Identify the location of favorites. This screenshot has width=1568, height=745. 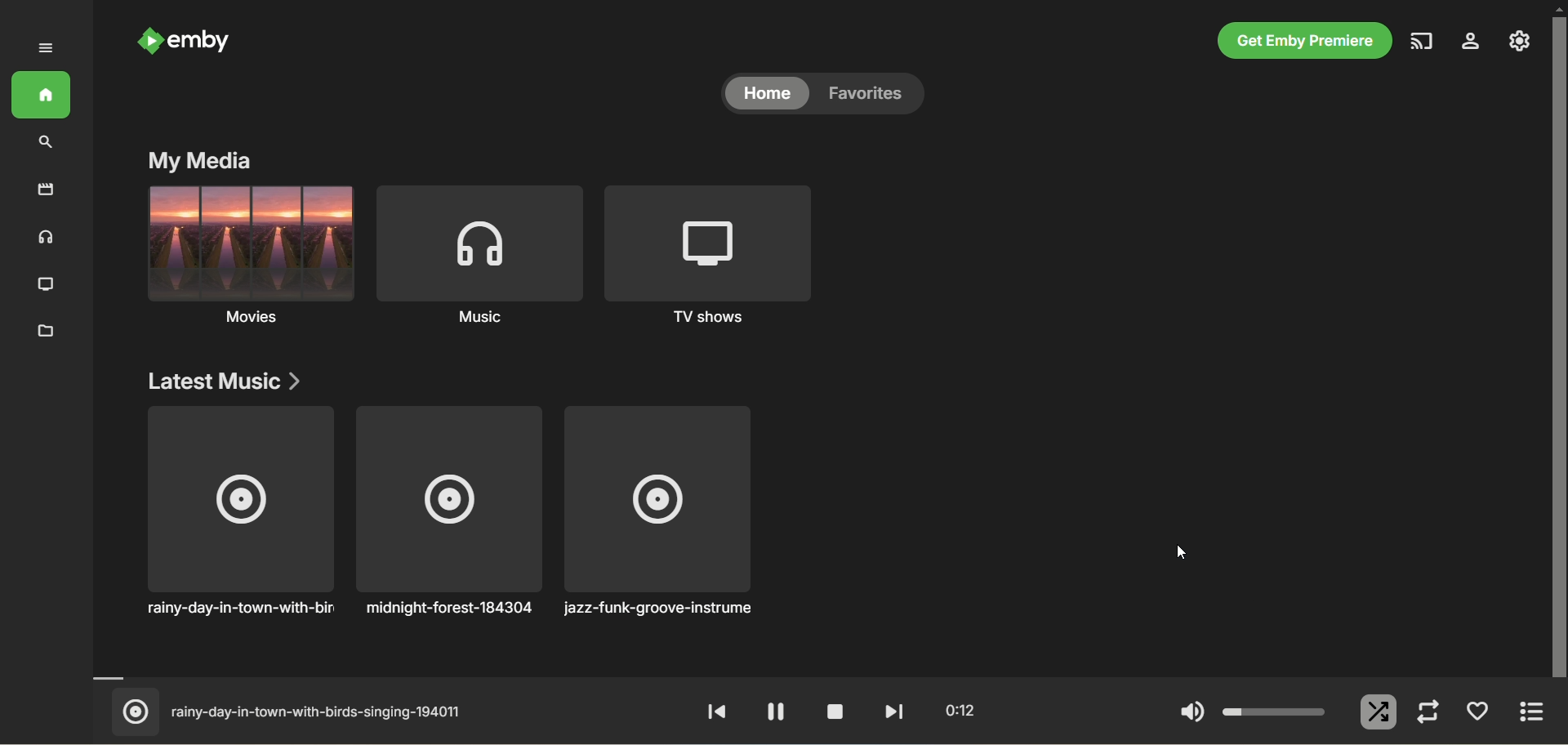
(1473, 708).